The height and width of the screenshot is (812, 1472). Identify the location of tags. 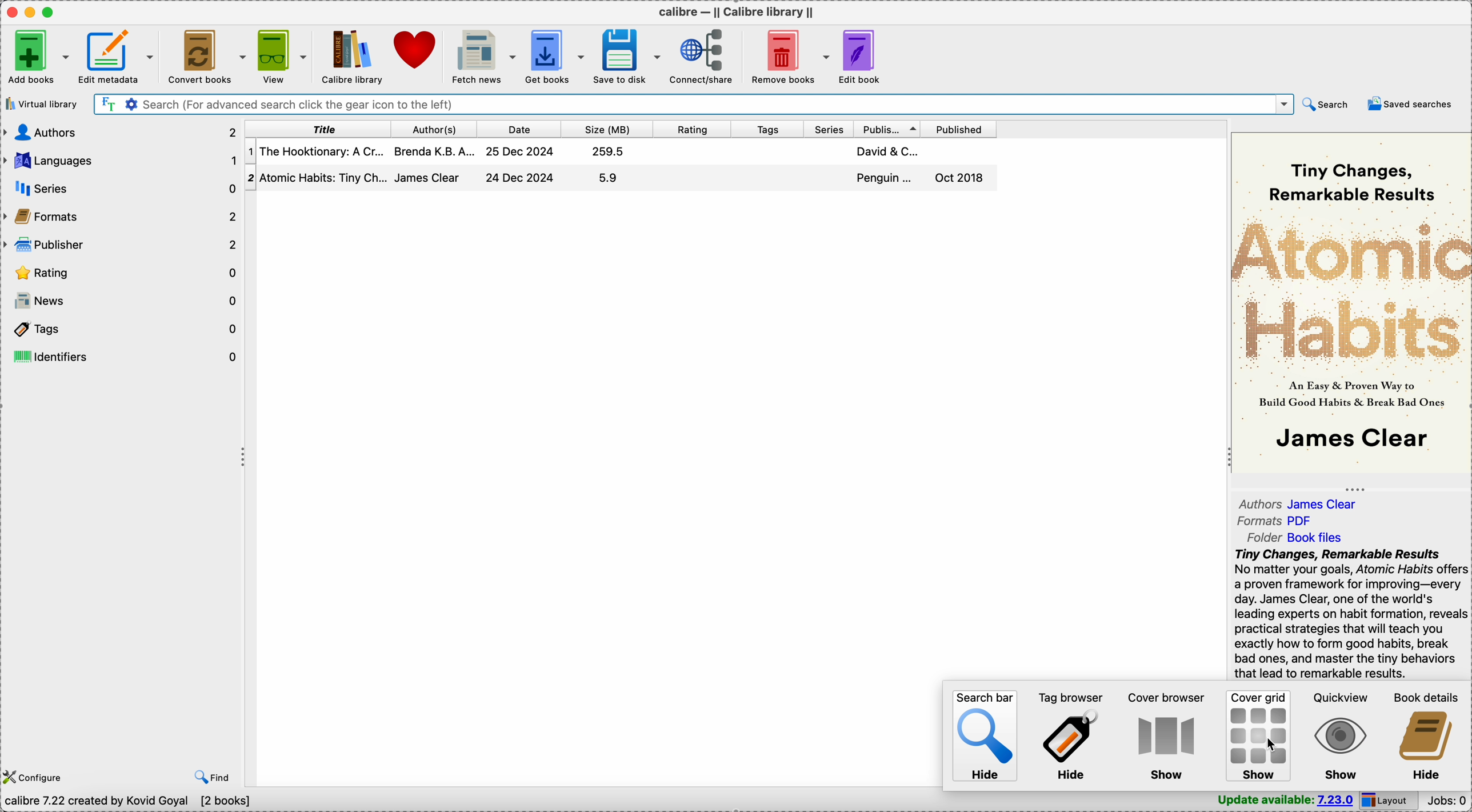
(769, 129).